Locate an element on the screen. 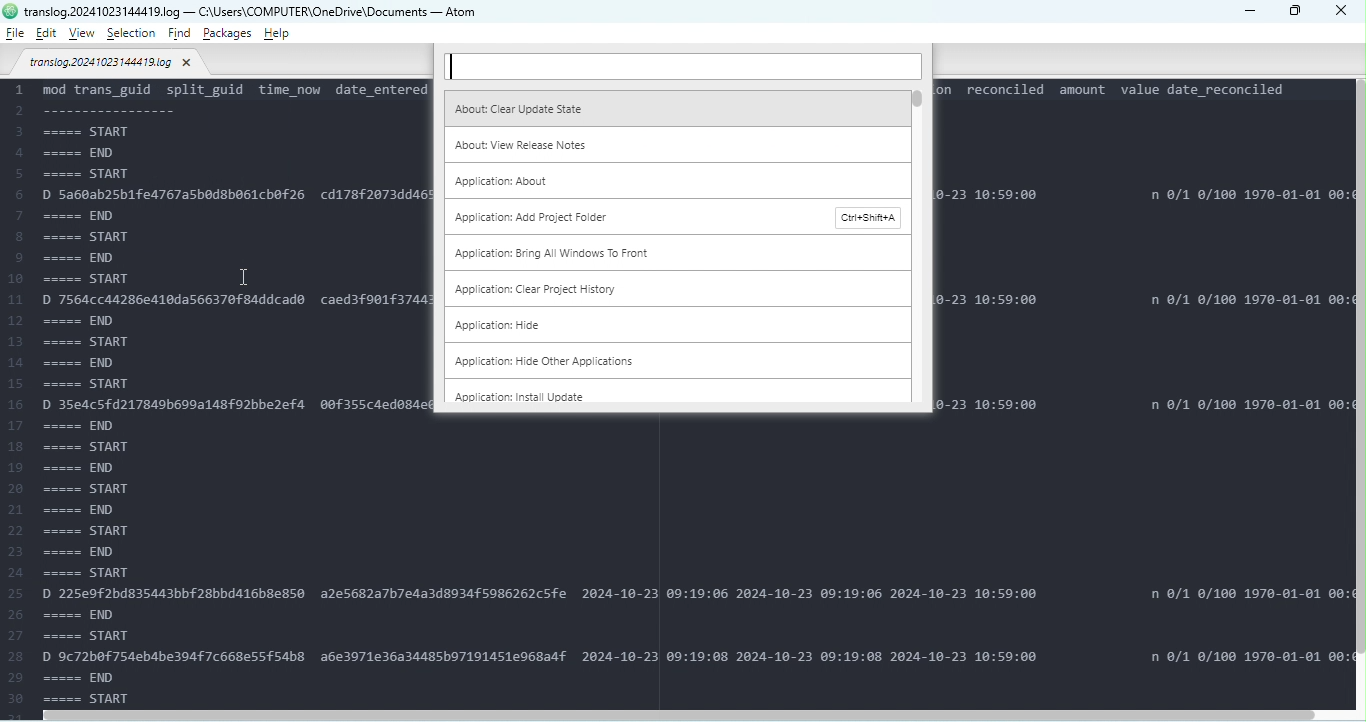 This screenshot has height=722, width=1366. Maximize is located at coordinates (1296, 12).